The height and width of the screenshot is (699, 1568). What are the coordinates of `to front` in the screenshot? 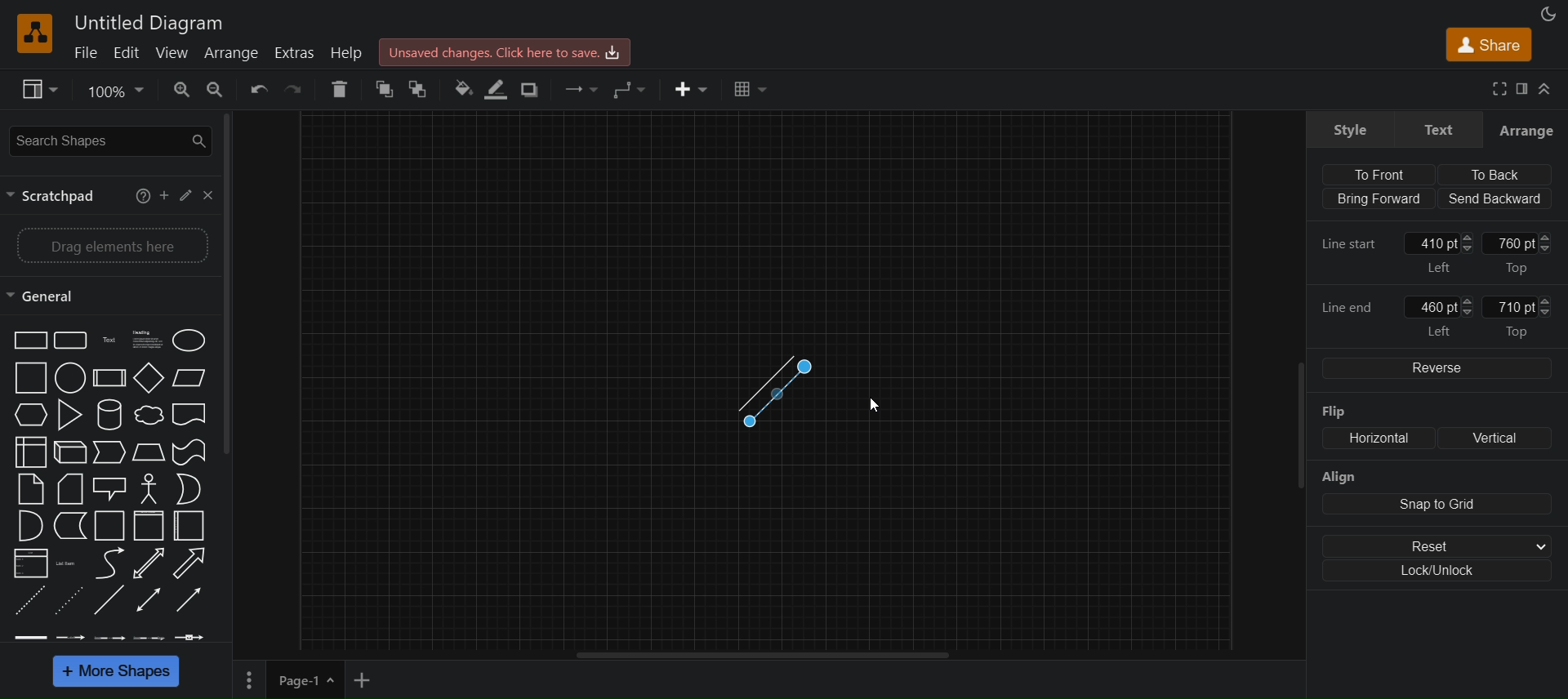 It's located at (385, 89).